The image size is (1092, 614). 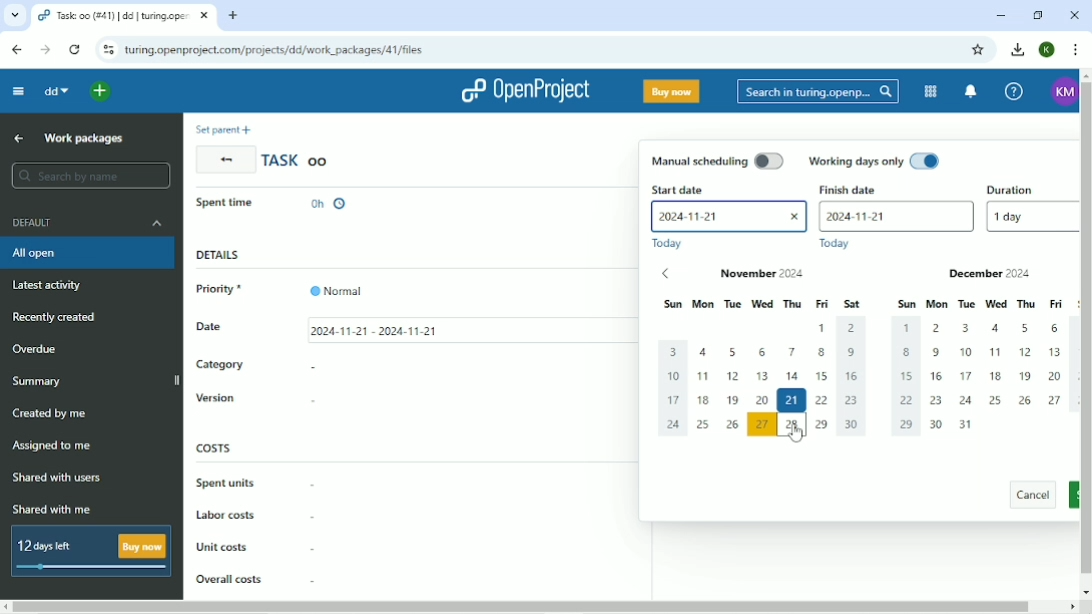 I want to click on Working days only, so click(x=876, y=160).